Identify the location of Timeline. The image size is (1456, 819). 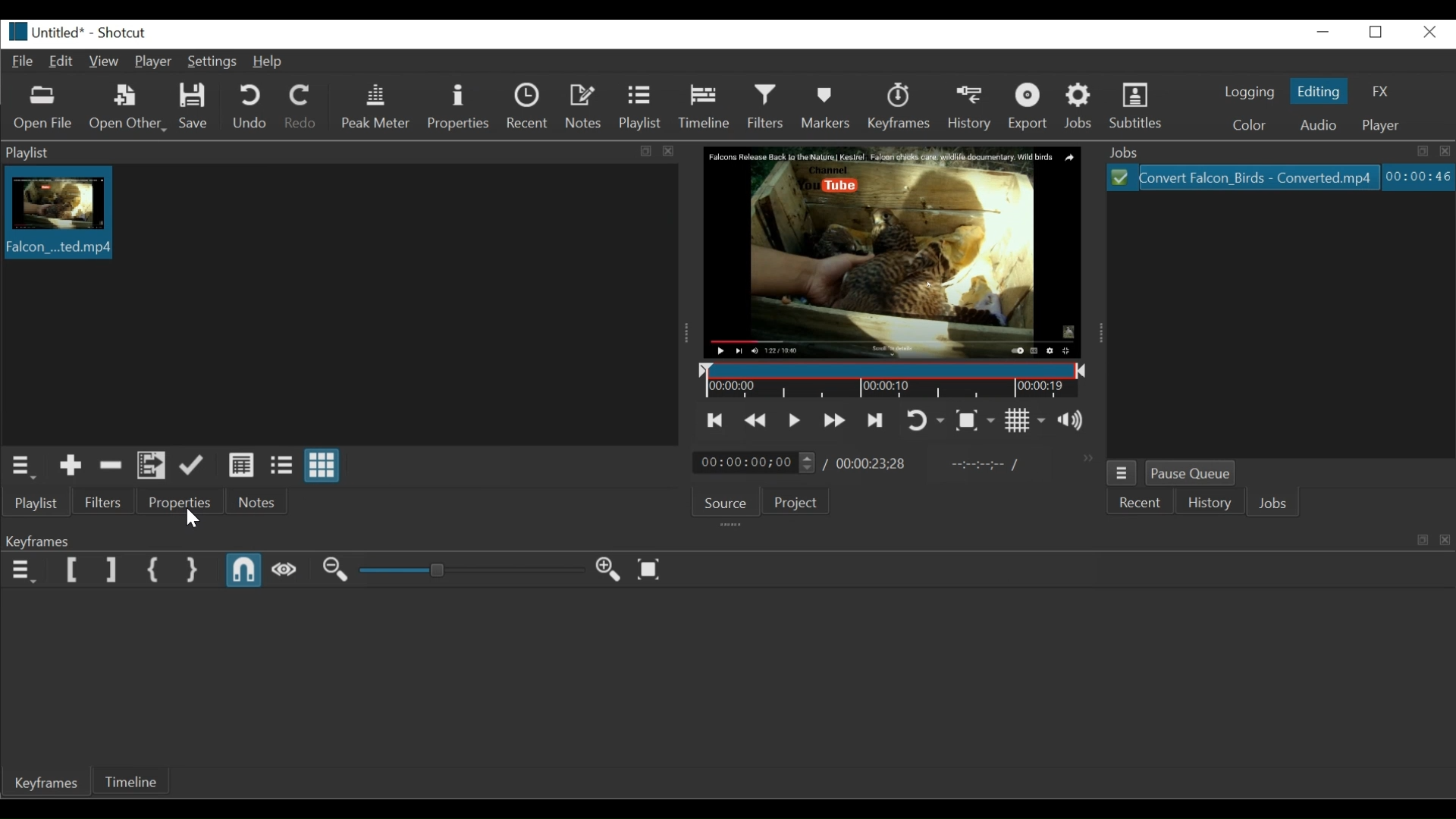
(708, 108).